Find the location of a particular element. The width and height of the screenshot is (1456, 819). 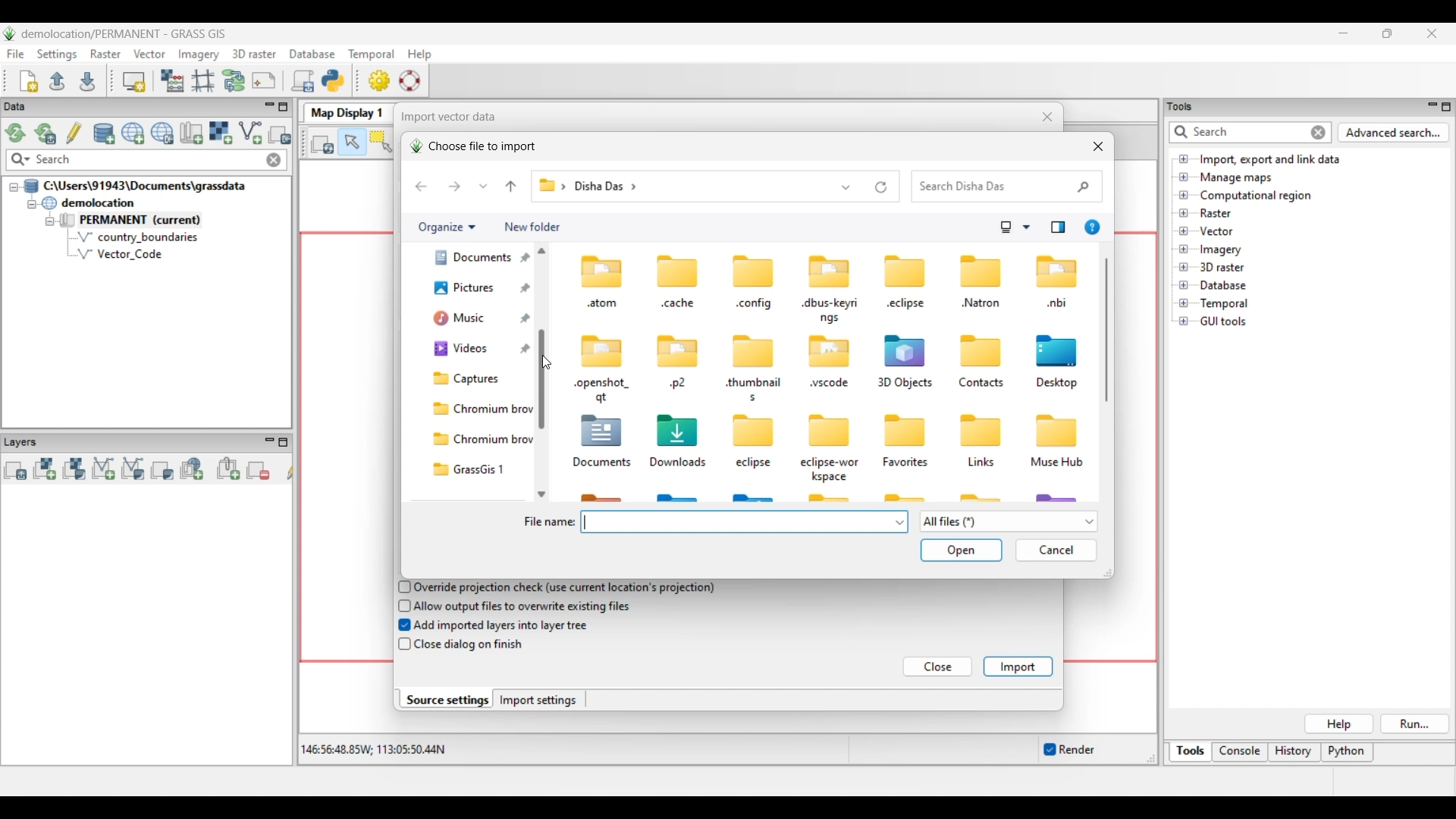

Favorites is located at coordinates (908, 463).